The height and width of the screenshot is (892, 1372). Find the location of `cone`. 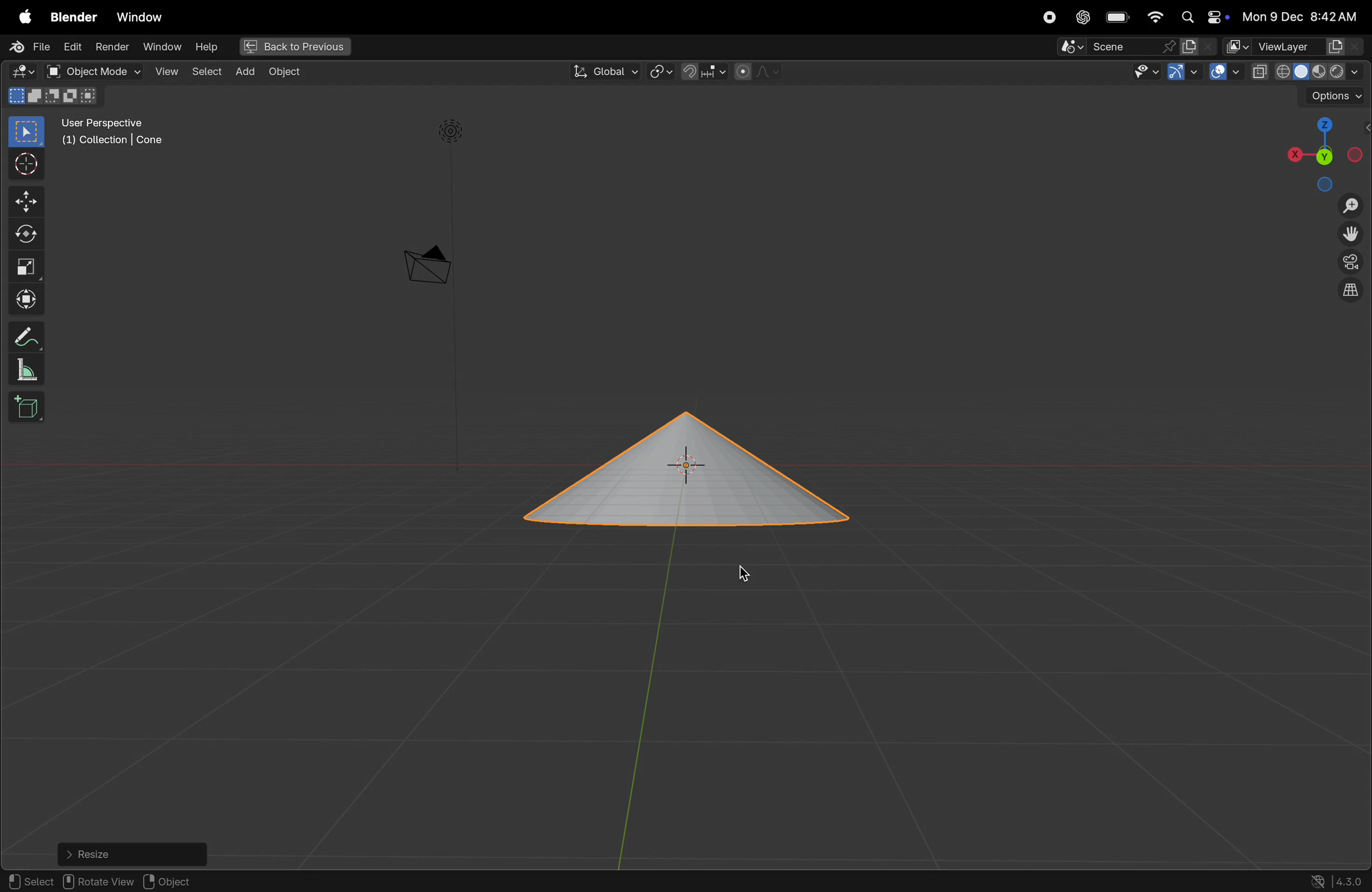

cone is located at coordinates (678, 471).